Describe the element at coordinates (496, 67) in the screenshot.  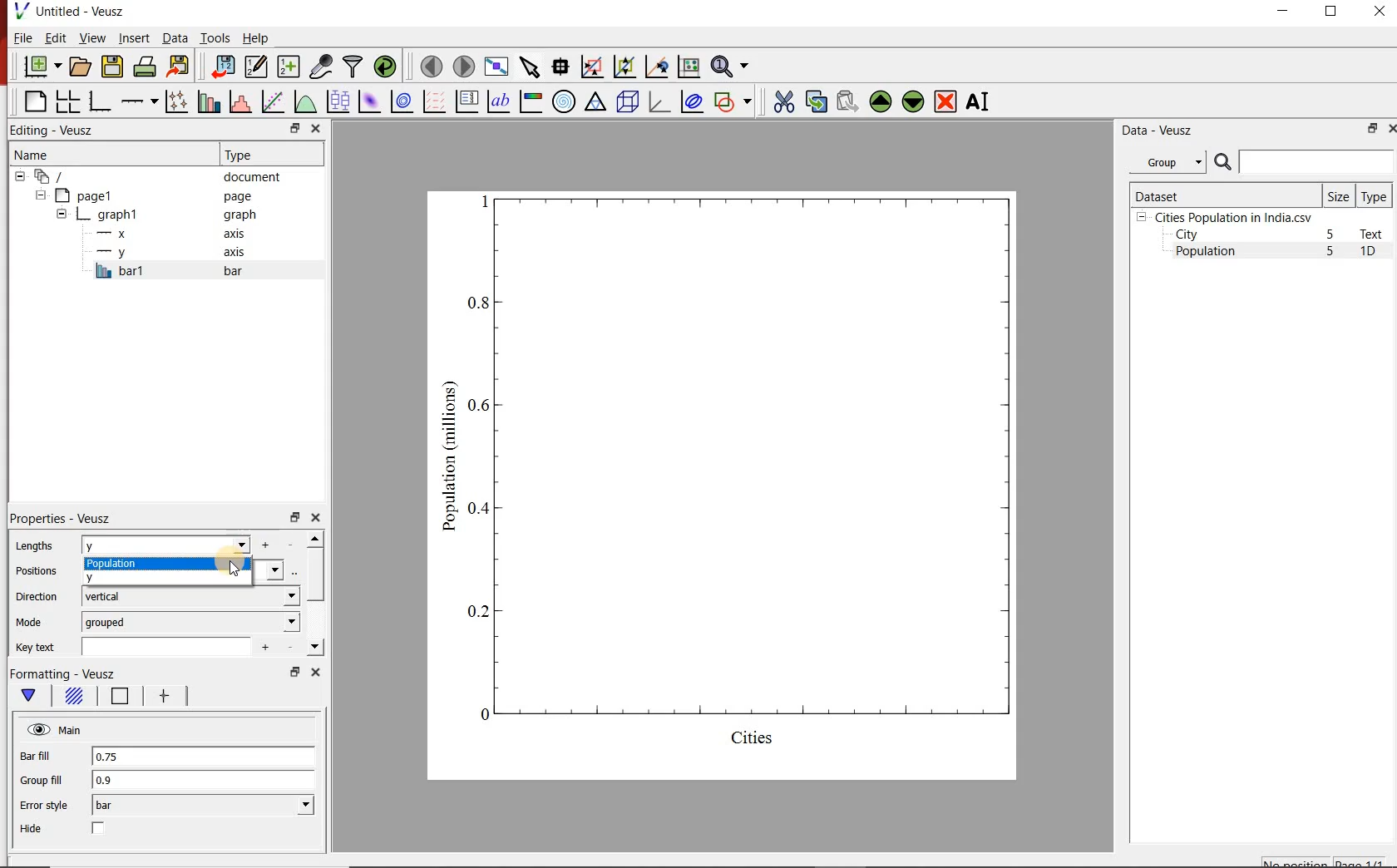
I see `view plot full screen` at that location.